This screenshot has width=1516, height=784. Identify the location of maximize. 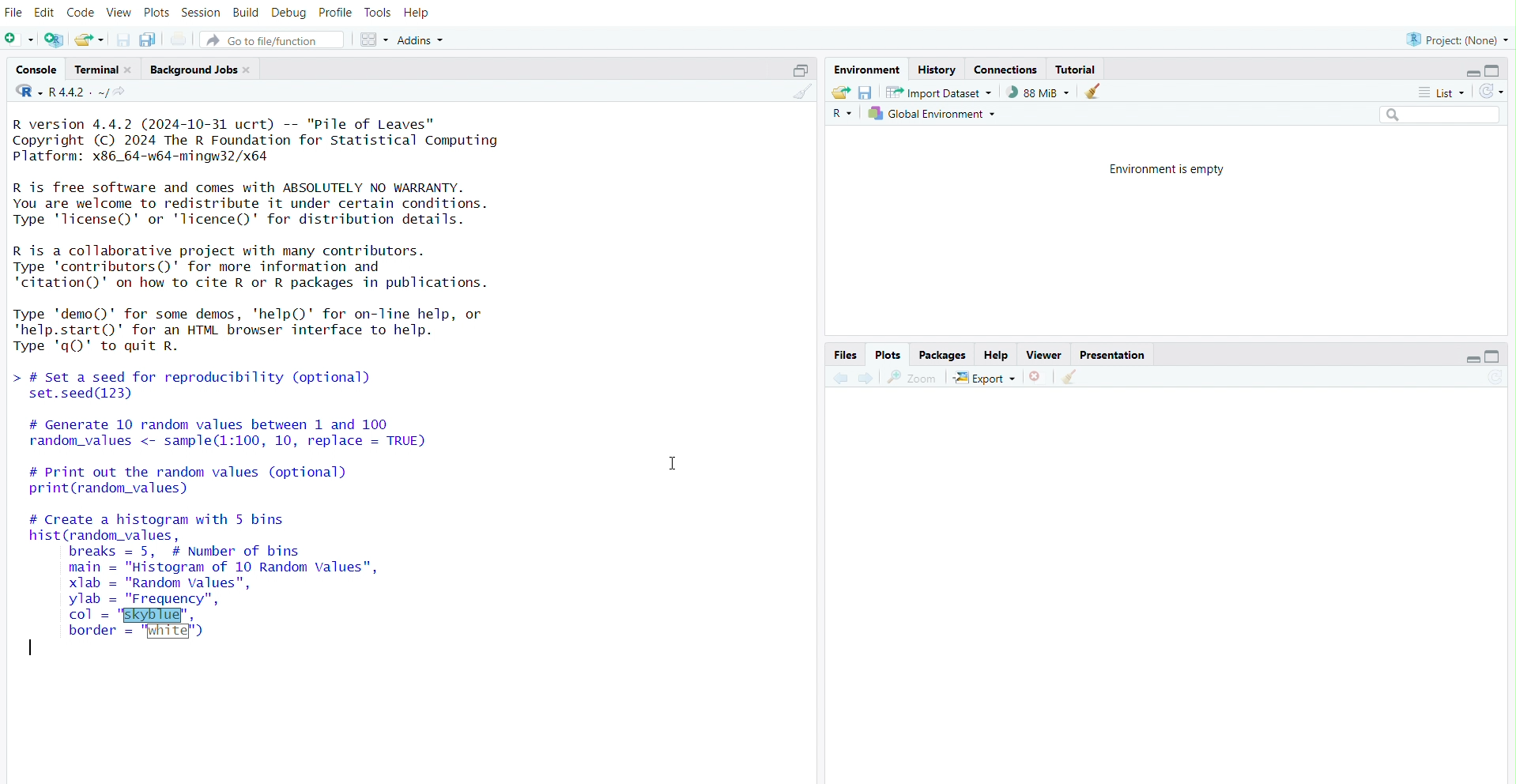
(1501, 356).